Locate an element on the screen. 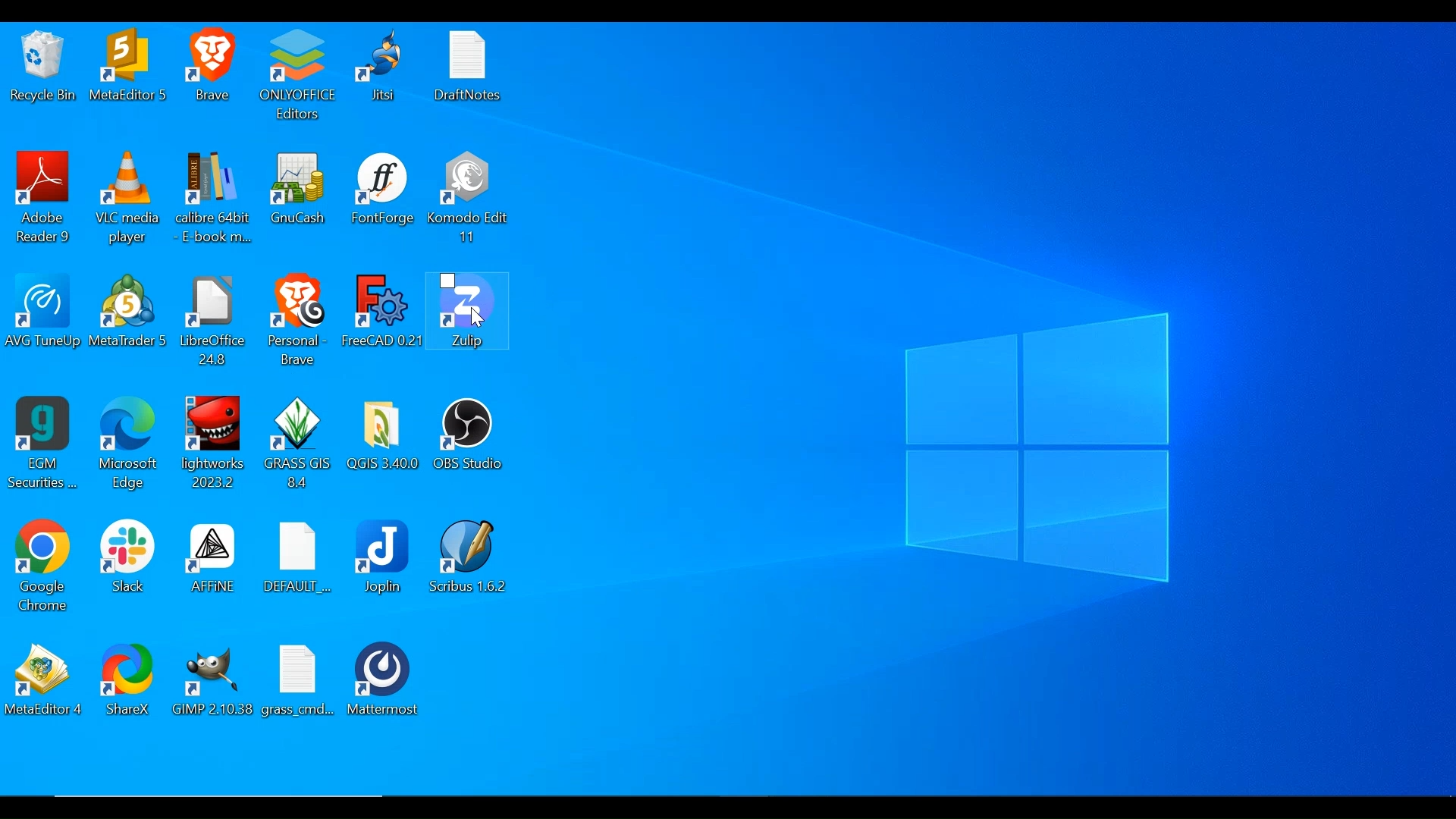 This screenshot has height=819, width=1456. zulip Desktop Icon is located at coordinates (472, 312).